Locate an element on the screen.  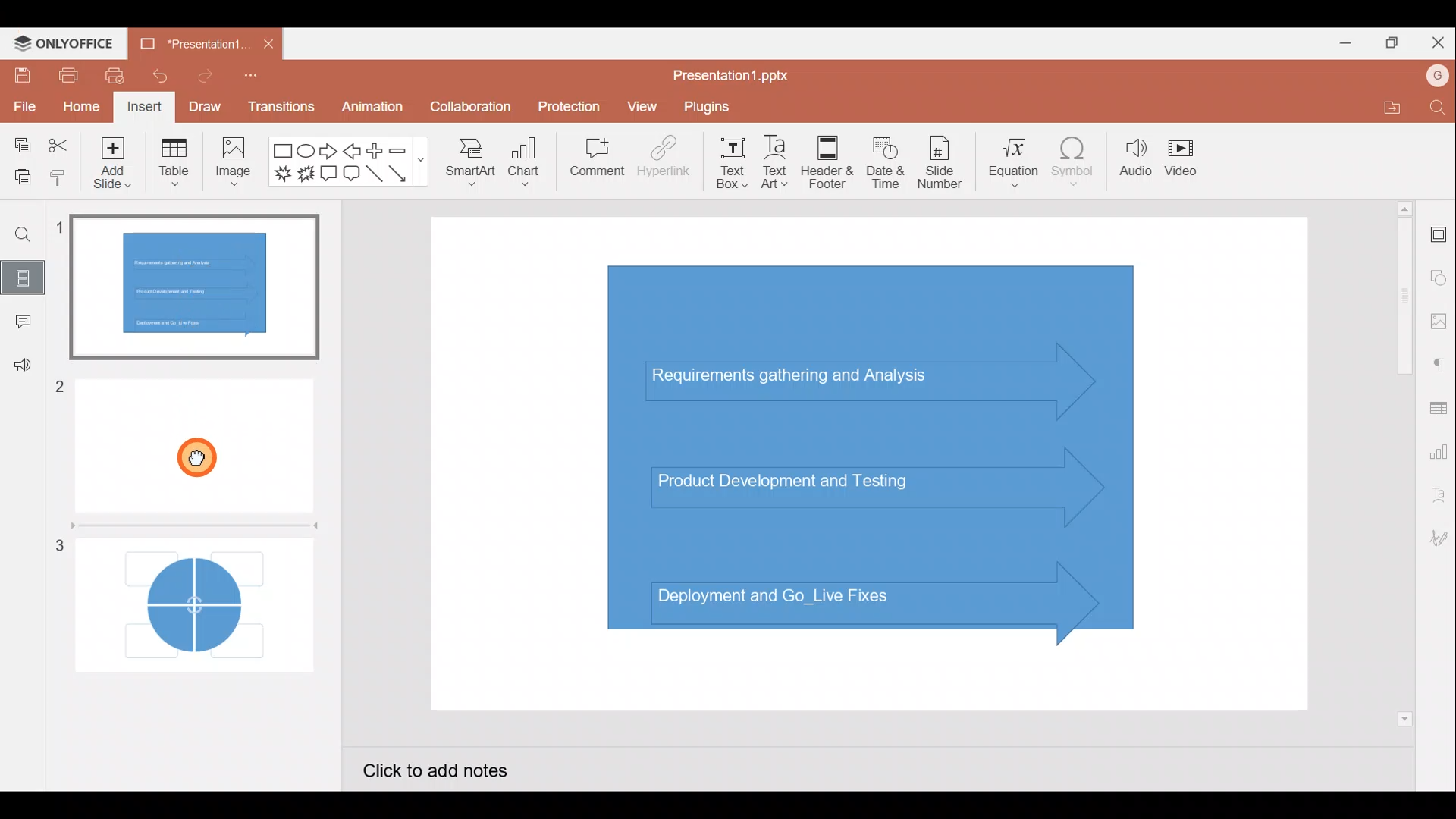
Save is located at coordinates (20, 76).